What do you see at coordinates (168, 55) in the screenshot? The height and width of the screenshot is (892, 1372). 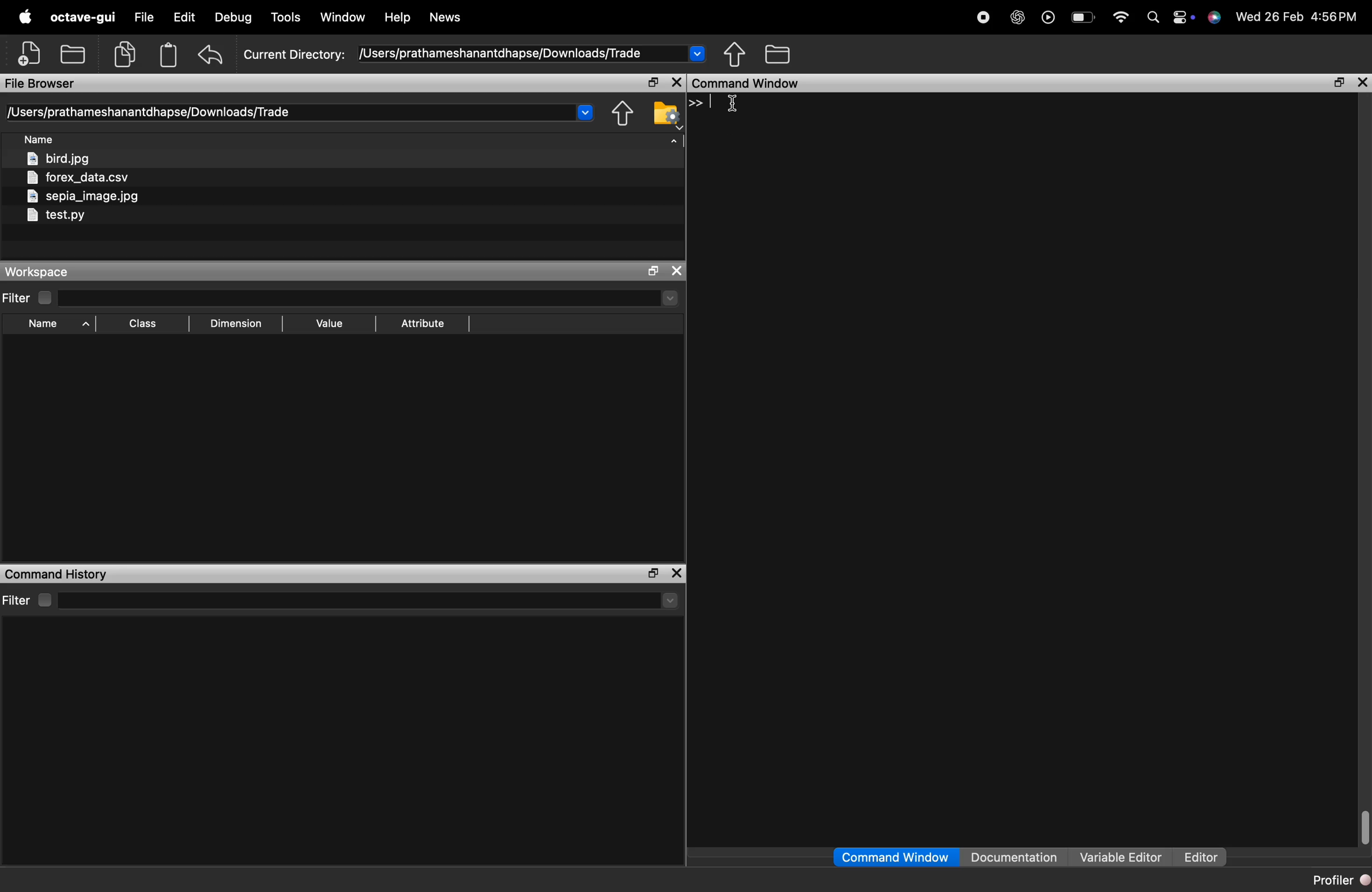 I see `Clipboard ` at bounding box center [168, 55].